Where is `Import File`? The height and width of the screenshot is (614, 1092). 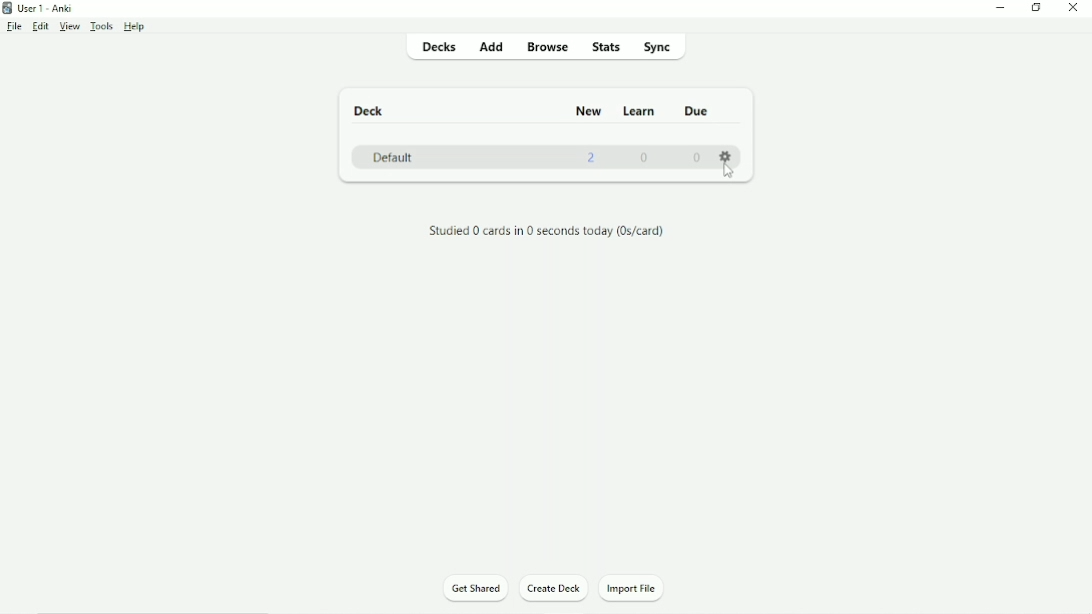 Import File is located at coordinates (631, 588).